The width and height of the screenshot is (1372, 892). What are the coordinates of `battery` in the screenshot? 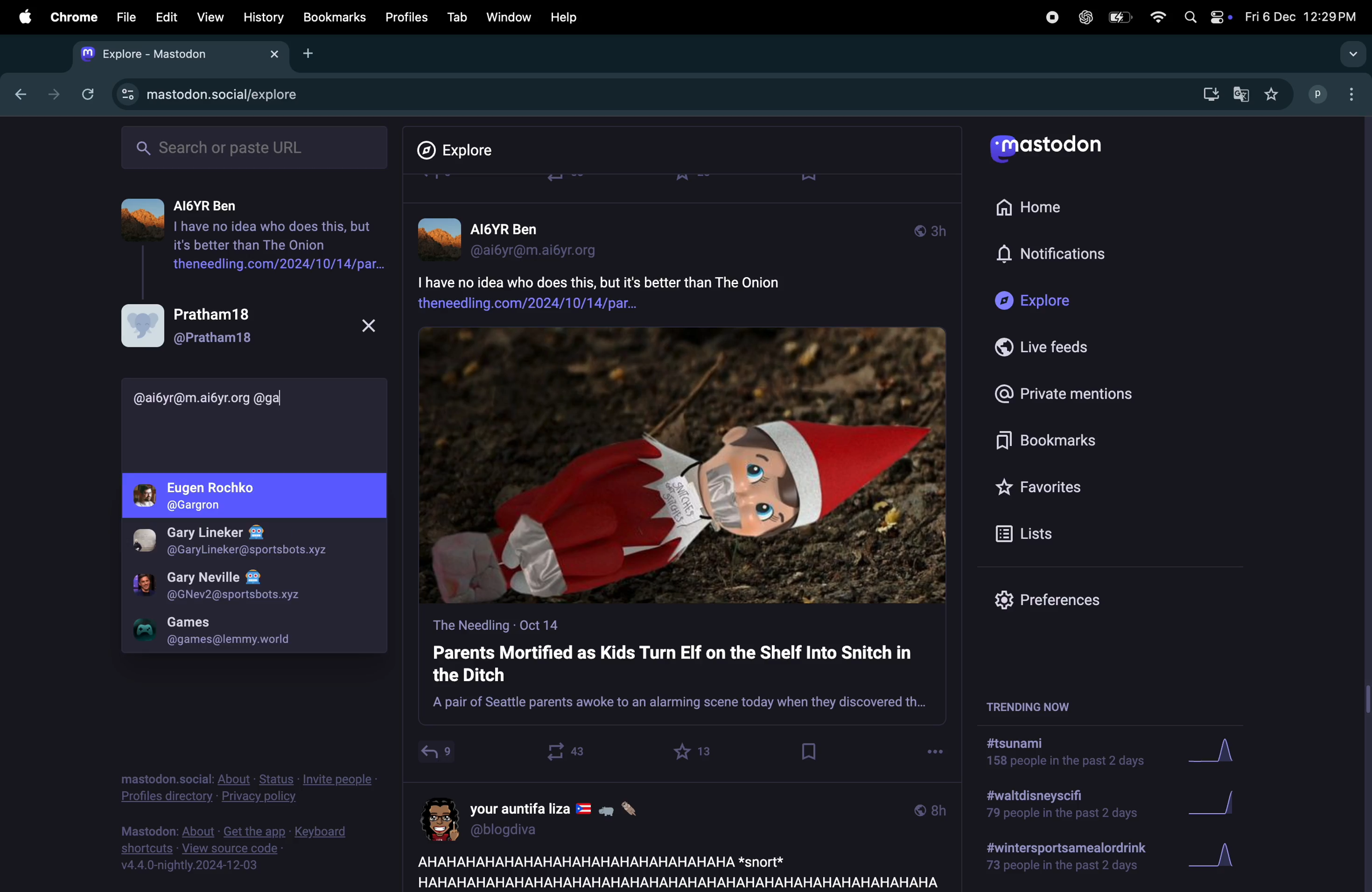 It's located at (1118, 18).